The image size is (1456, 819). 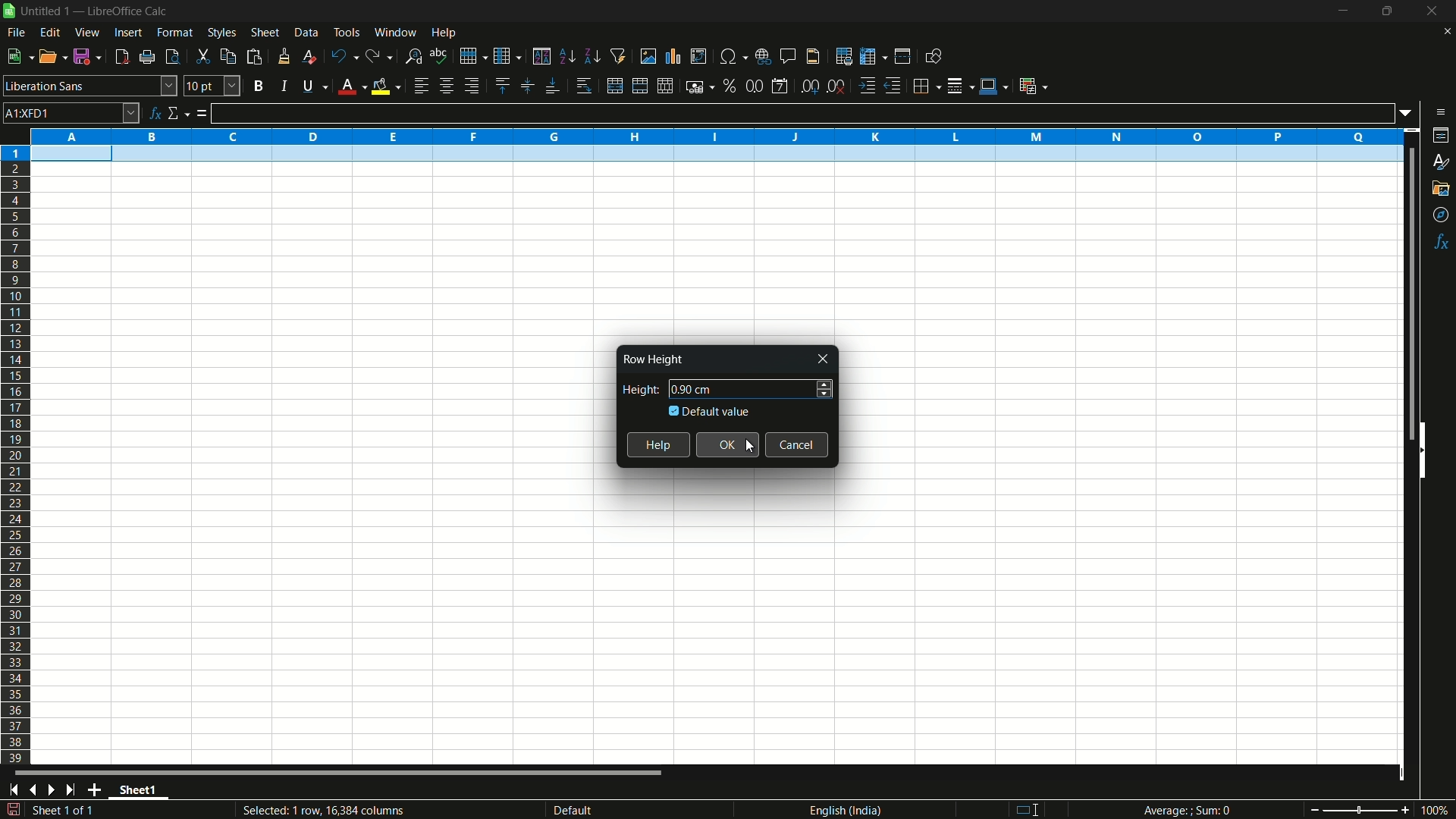 I want to click on standard selection, so click(x=1033, y=809).